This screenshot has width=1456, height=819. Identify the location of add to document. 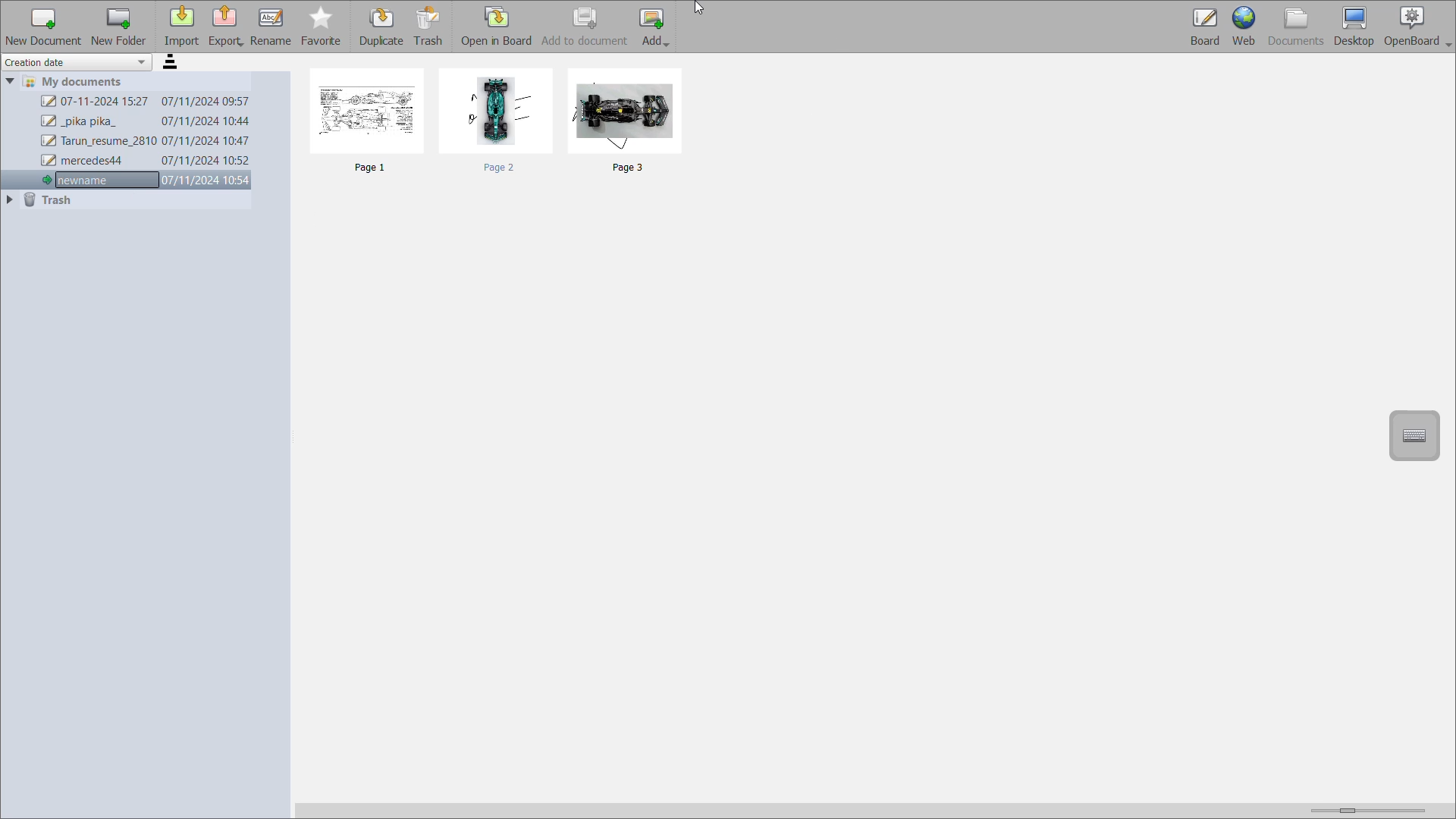
(586, 27).